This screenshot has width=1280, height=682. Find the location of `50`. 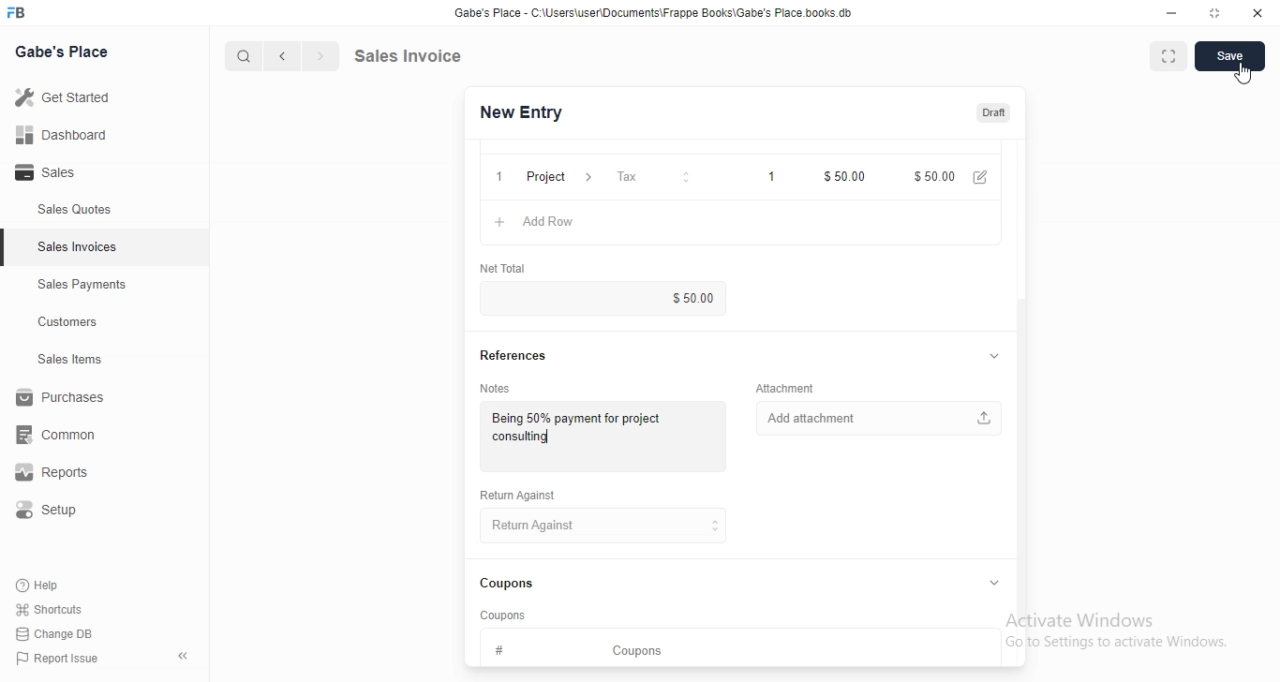

50 is located at coordinates (839, 175).